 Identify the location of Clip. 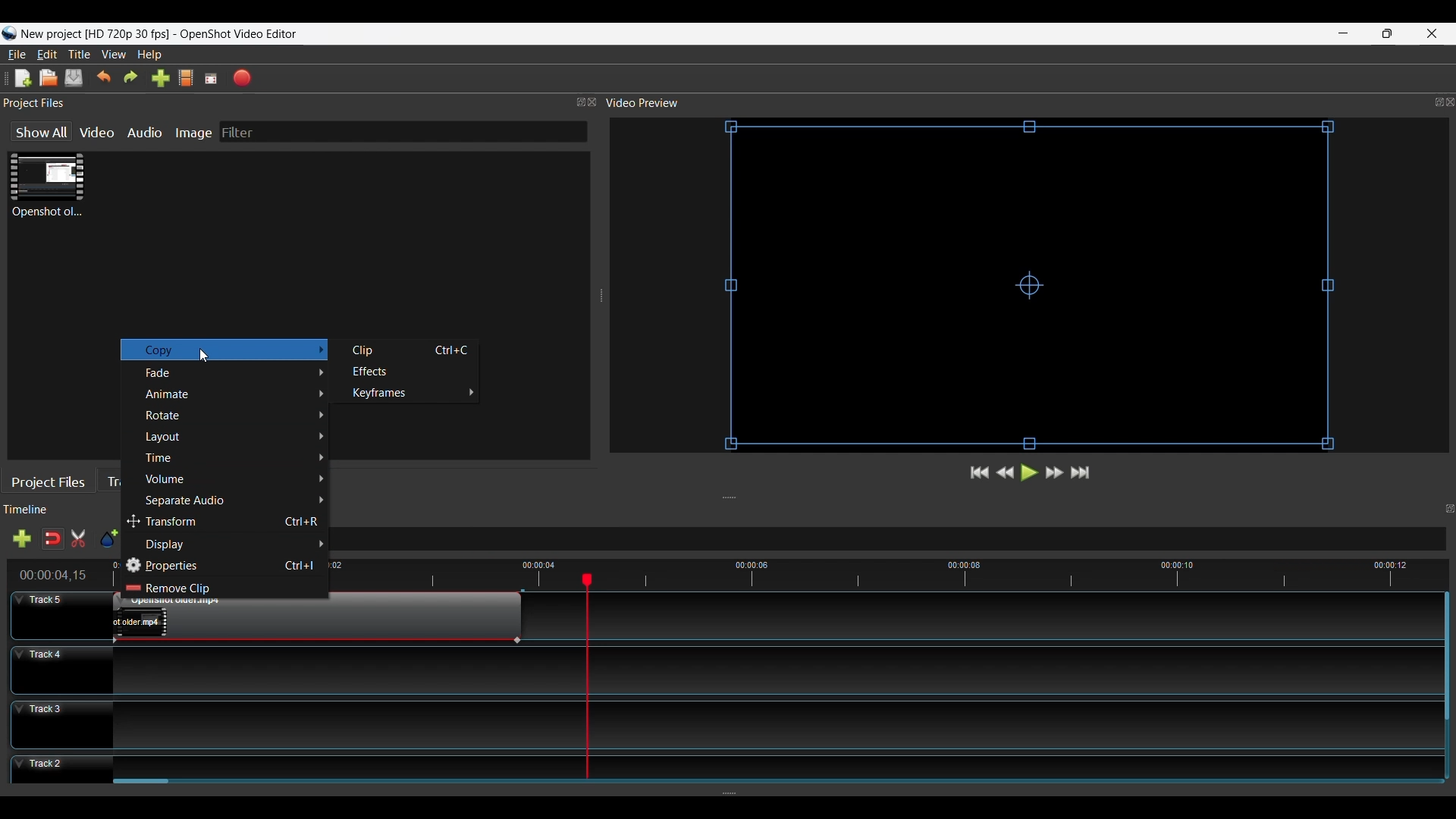
(47, 186).